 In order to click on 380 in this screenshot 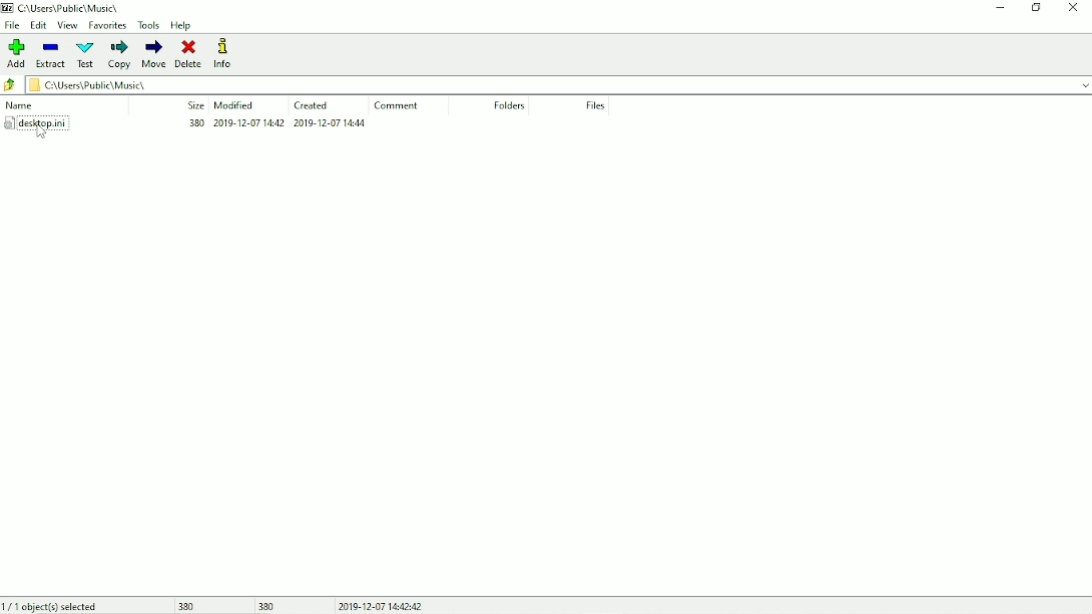, I will do `click(189, 122)`.